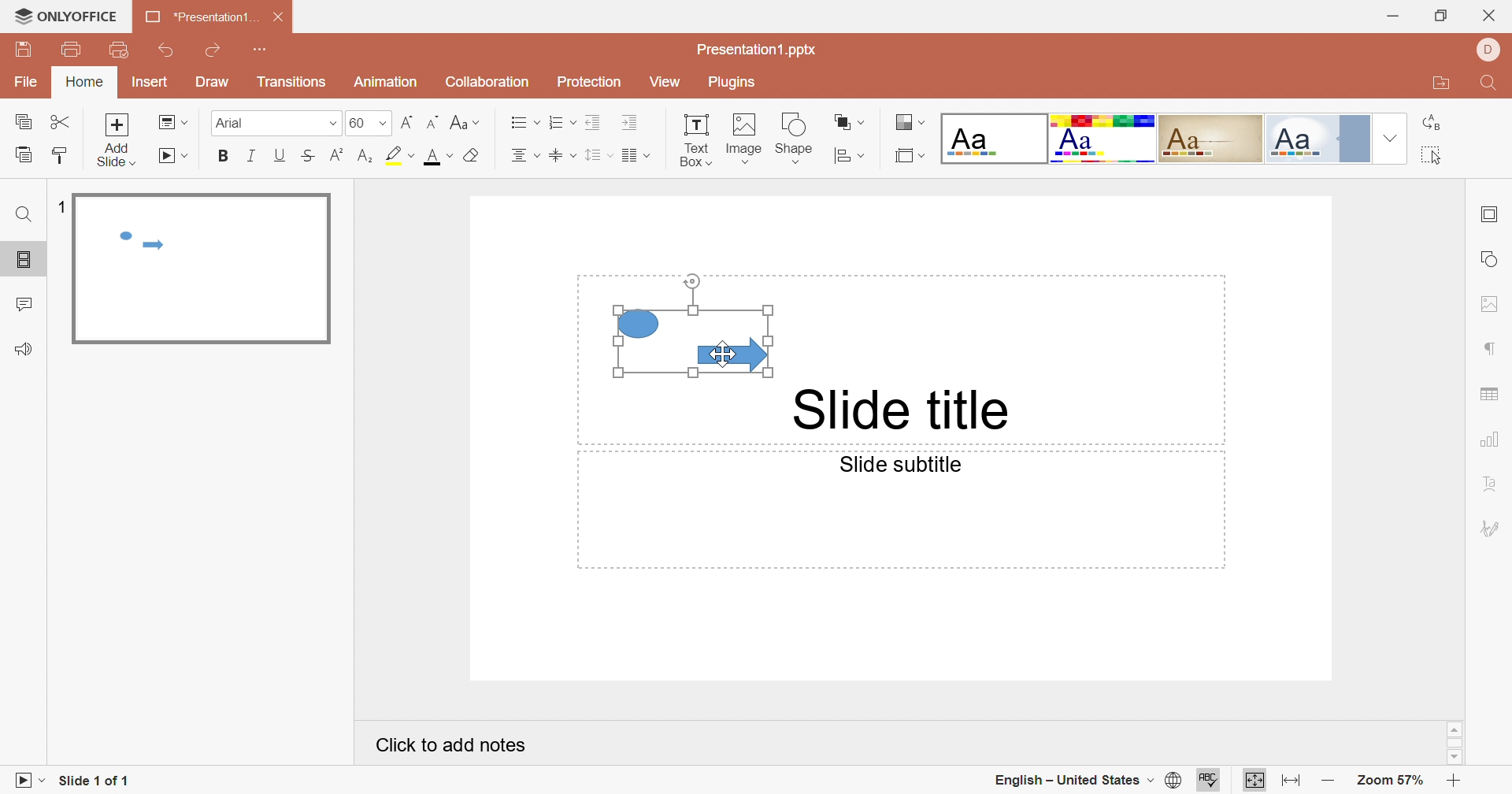  I want to click on Close, so click(1492, 16).